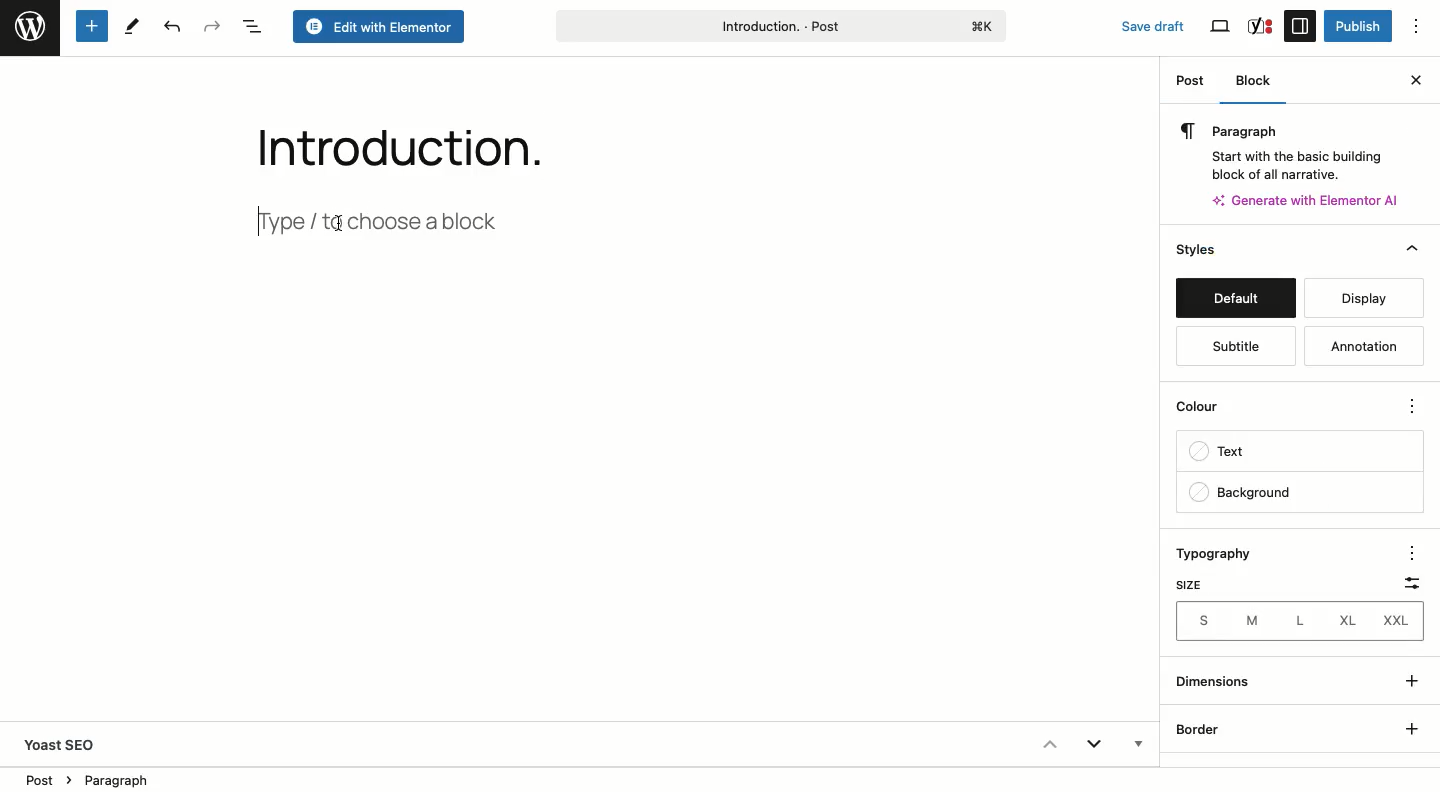 The image size is (1440, 792). What do you see at coordinates (1187, 585) in the screenshot?
I see `Size` at bounding box center [1187, 585].